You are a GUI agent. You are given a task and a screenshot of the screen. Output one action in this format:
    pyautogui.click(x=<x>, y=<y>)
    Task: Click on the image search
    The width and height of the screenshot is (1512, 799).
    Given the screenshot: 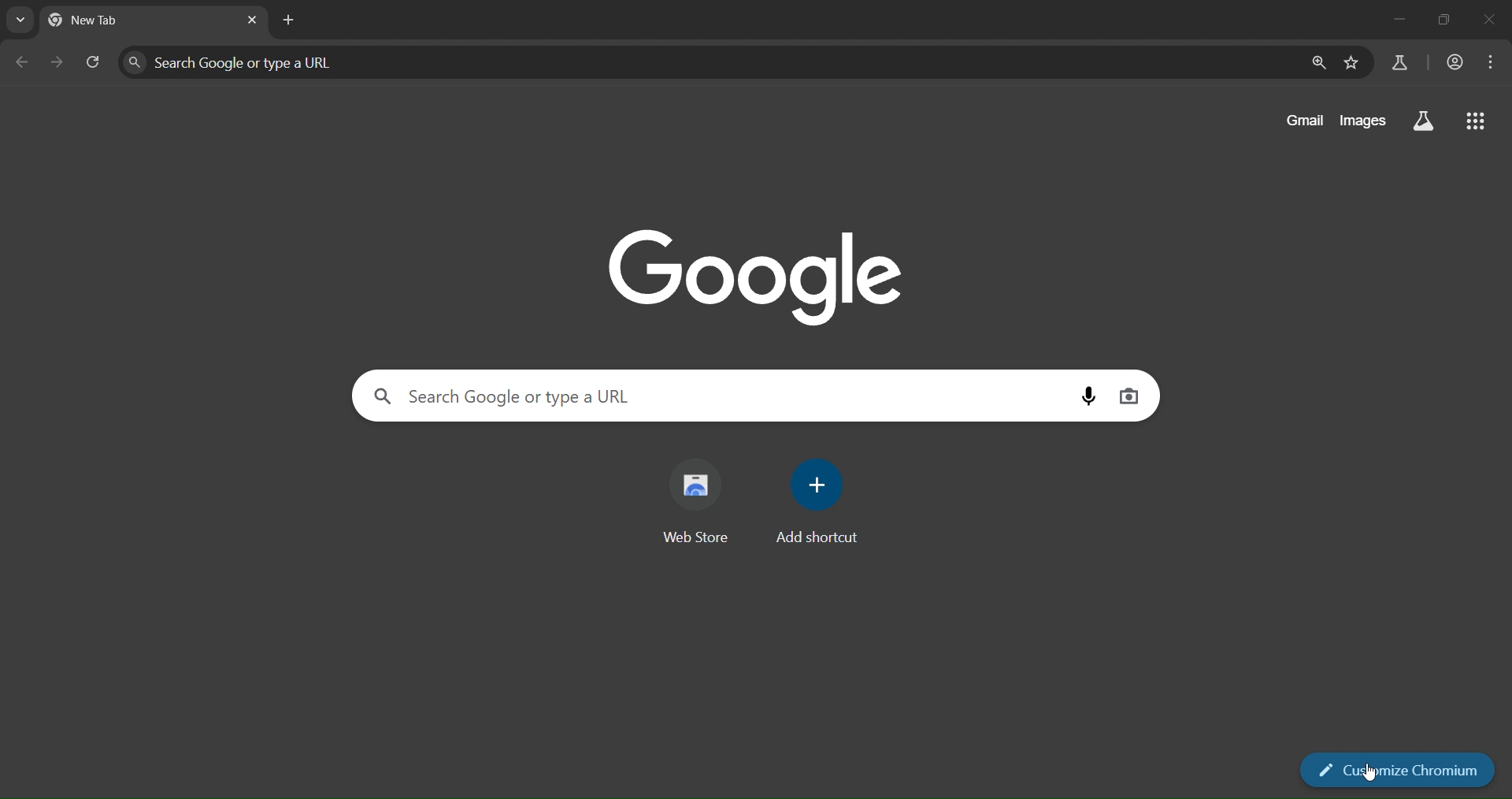 What is the action you would take?
    pyautogui.click(x=1128, y=396)
    